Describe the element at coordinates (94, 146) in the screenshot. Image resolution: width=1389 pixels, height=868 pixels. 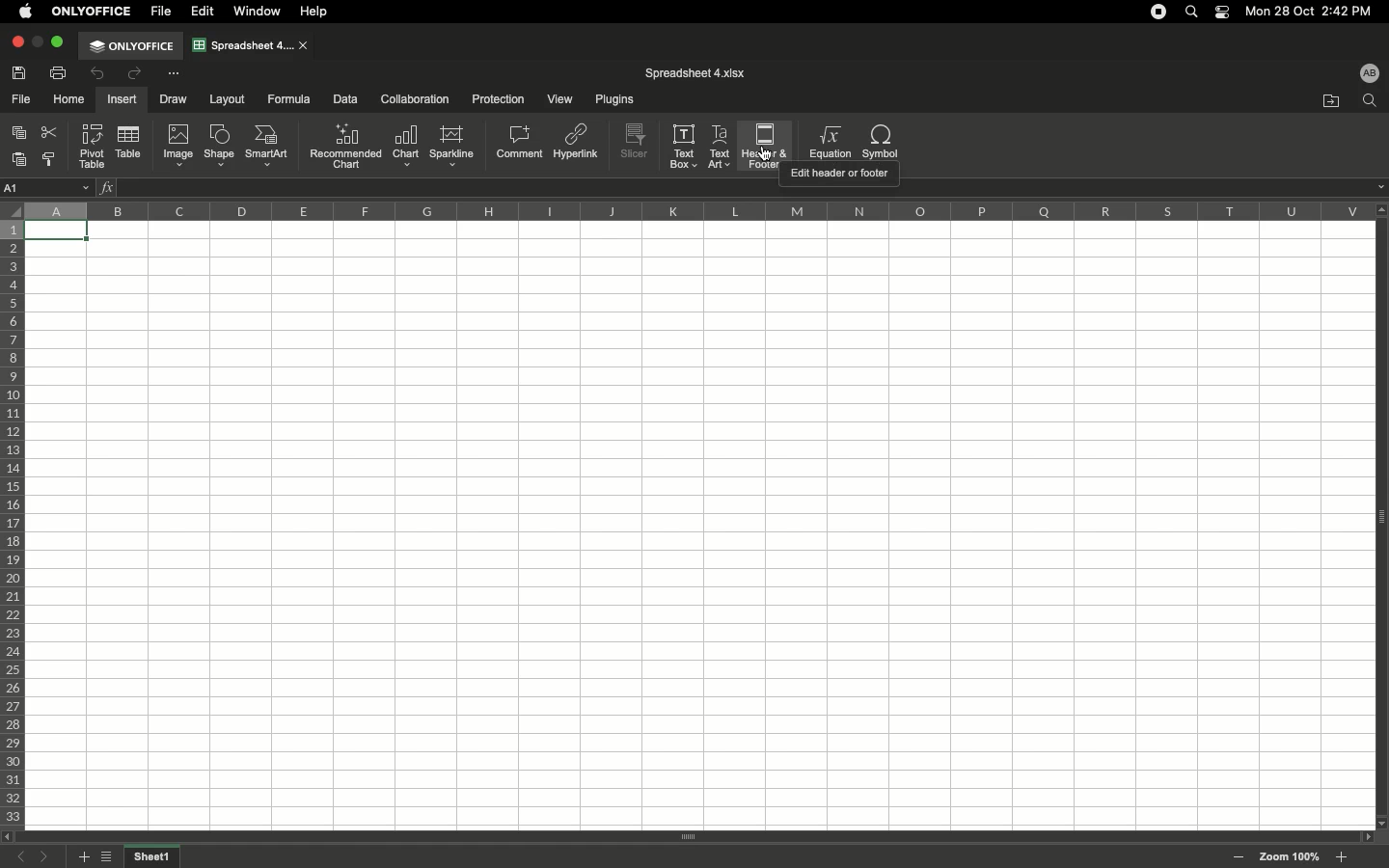
I see `Pivot table` at that location.